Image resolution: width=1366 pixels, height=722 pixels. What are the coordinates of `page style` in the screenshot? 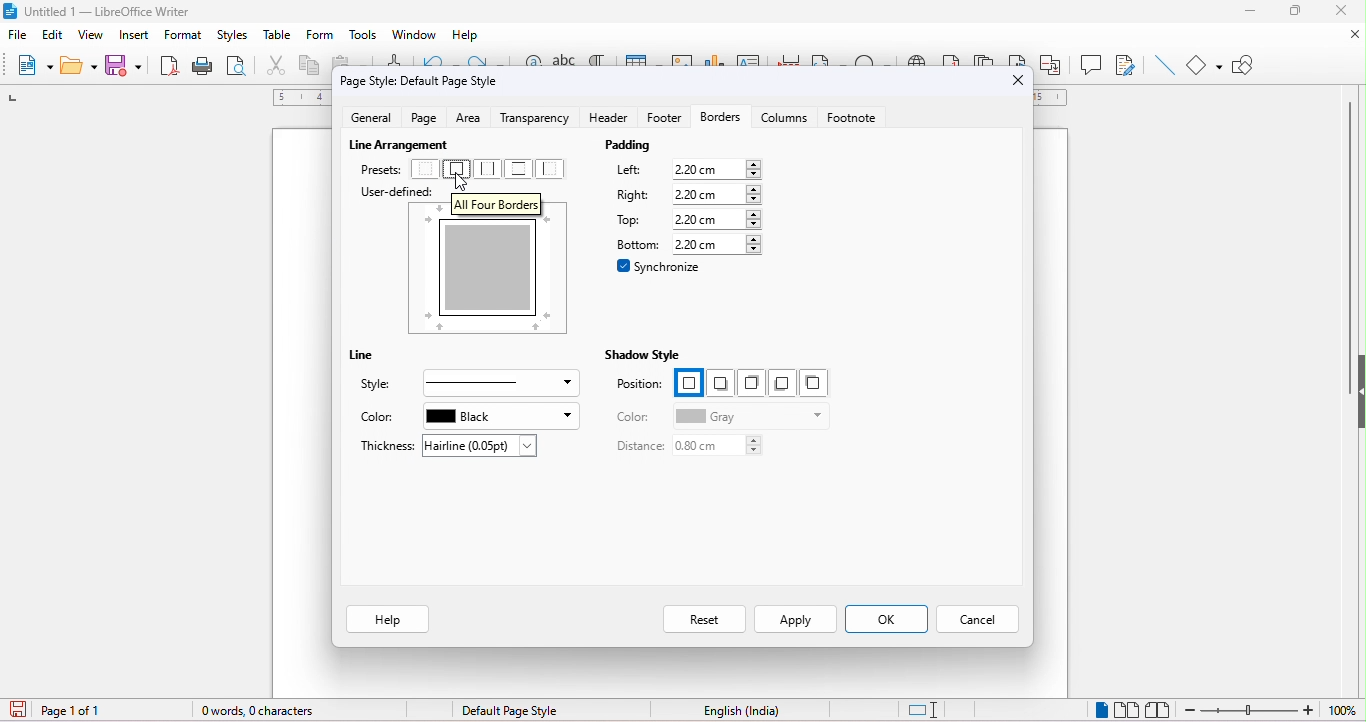 It's located at (421, 81).